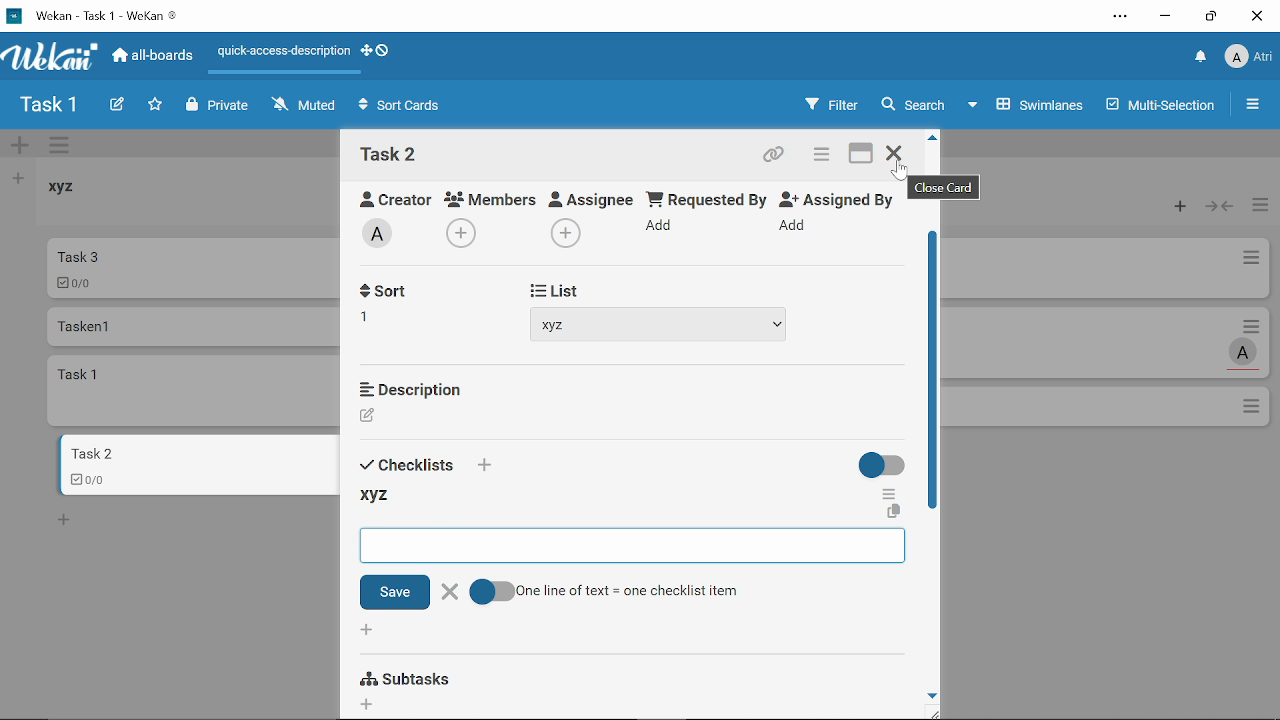 The height and width of the screenshot is (720, 1280). I want to click on Add card to the top, so click(1175, 207).